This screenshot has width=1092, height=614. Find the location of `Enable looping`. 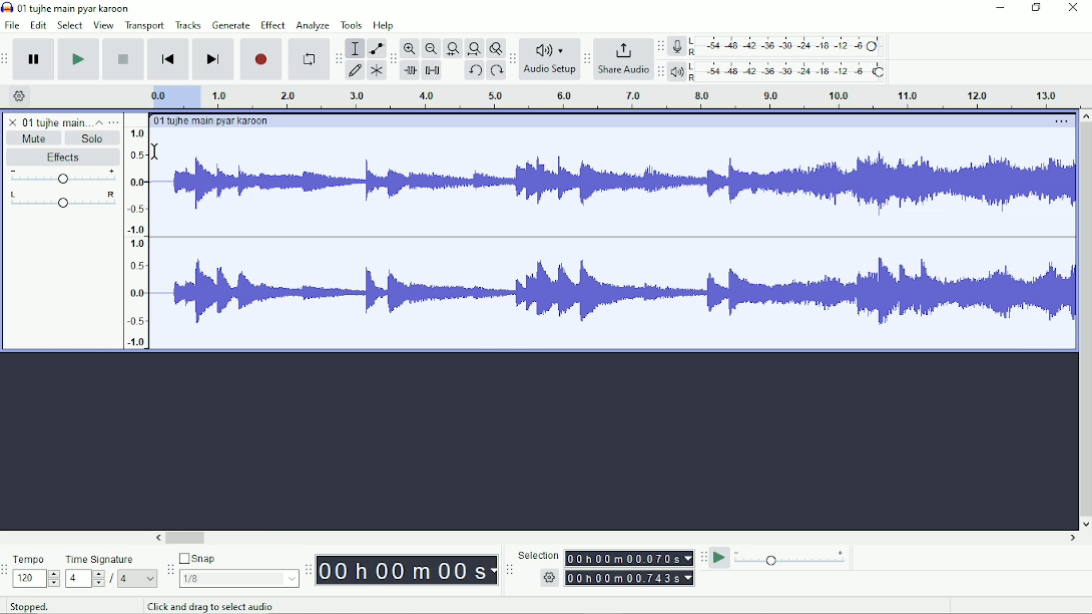

Enable looping is located at coordinates (307, 60).